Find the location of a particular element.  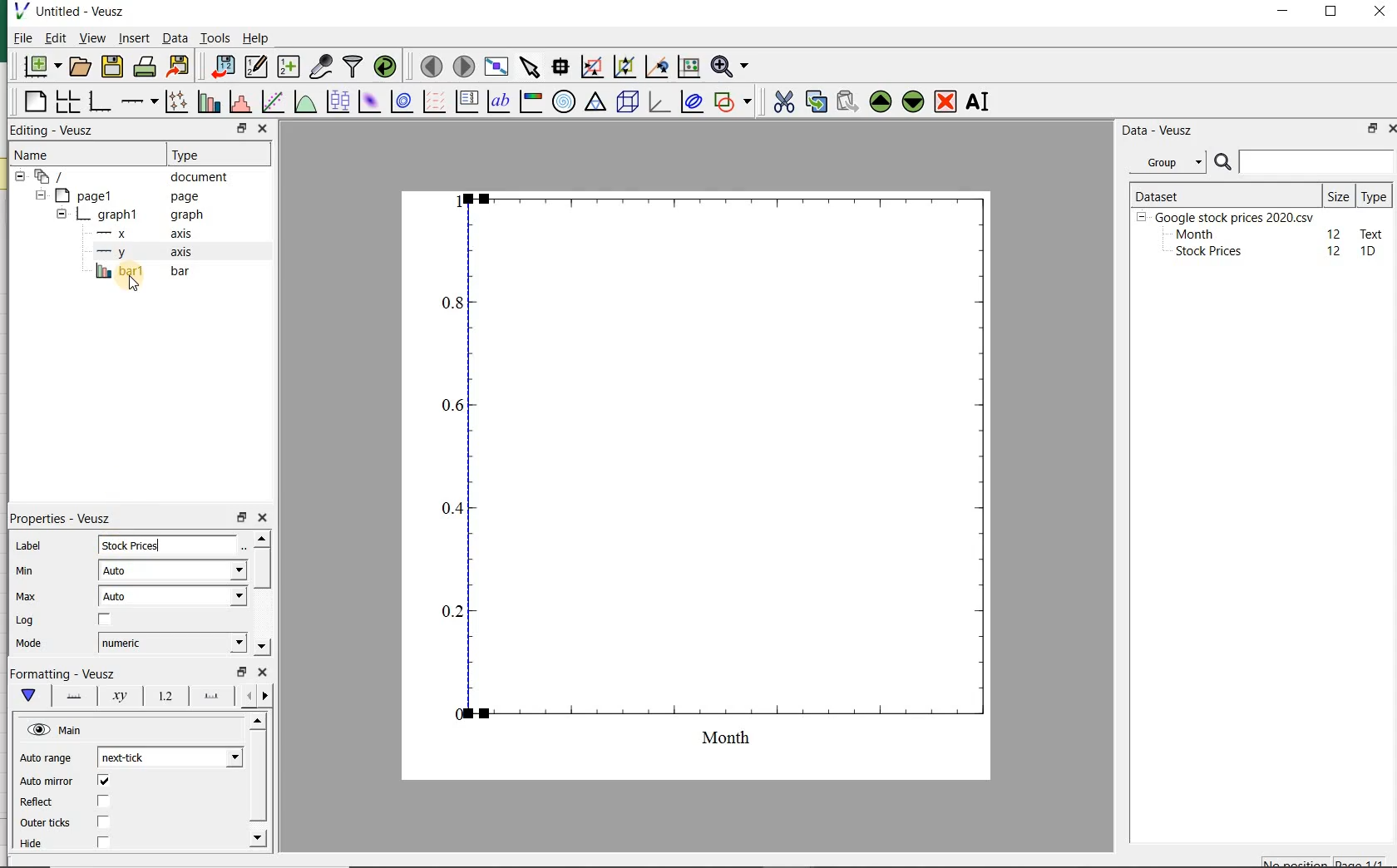

cut the selected widget is located at coordinates (785, 104).